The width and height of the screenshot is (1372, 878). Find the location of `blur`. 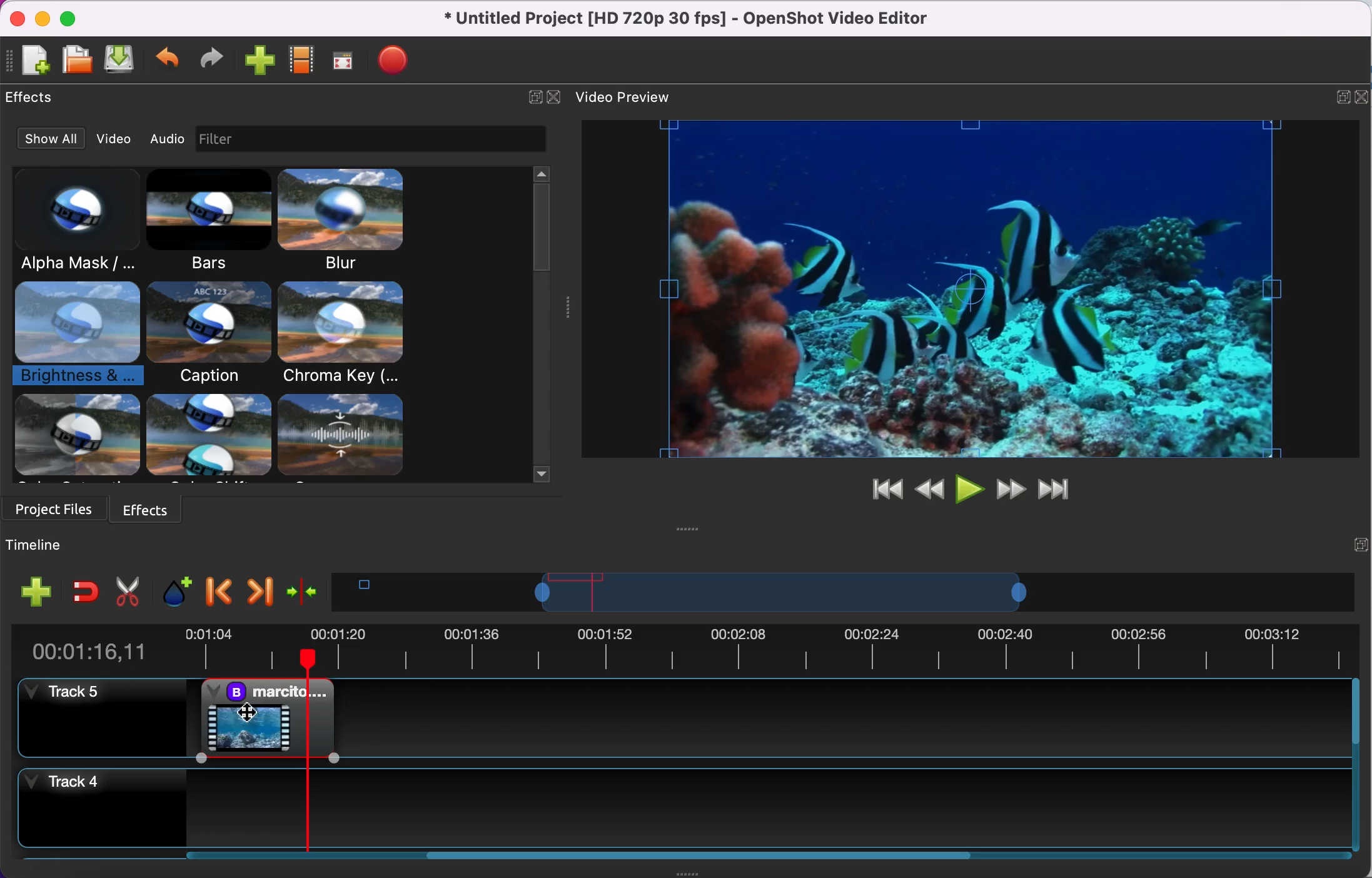

blur is located at coordinates (358, 221).